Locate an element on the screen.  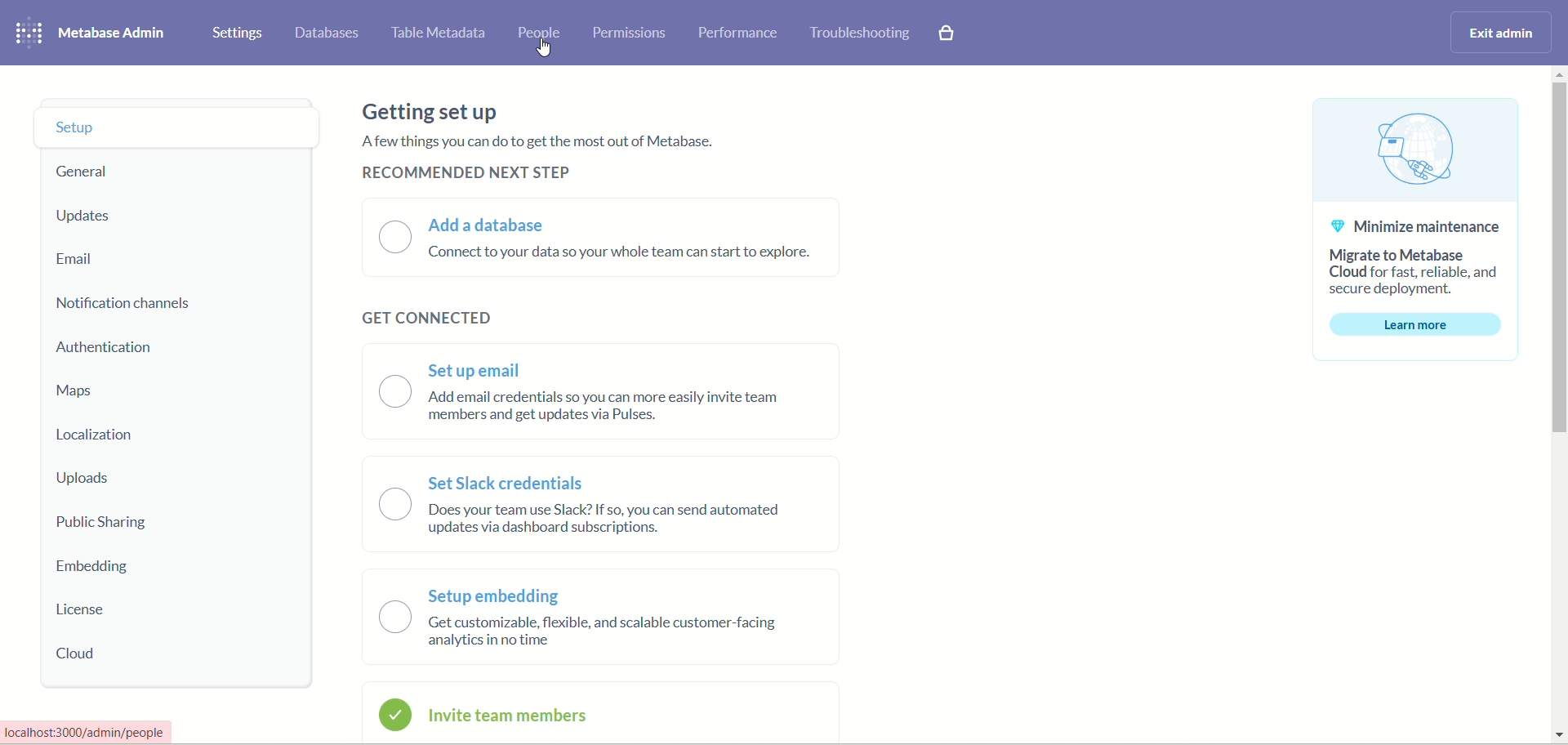
setup is located at coordinates (175, 131).